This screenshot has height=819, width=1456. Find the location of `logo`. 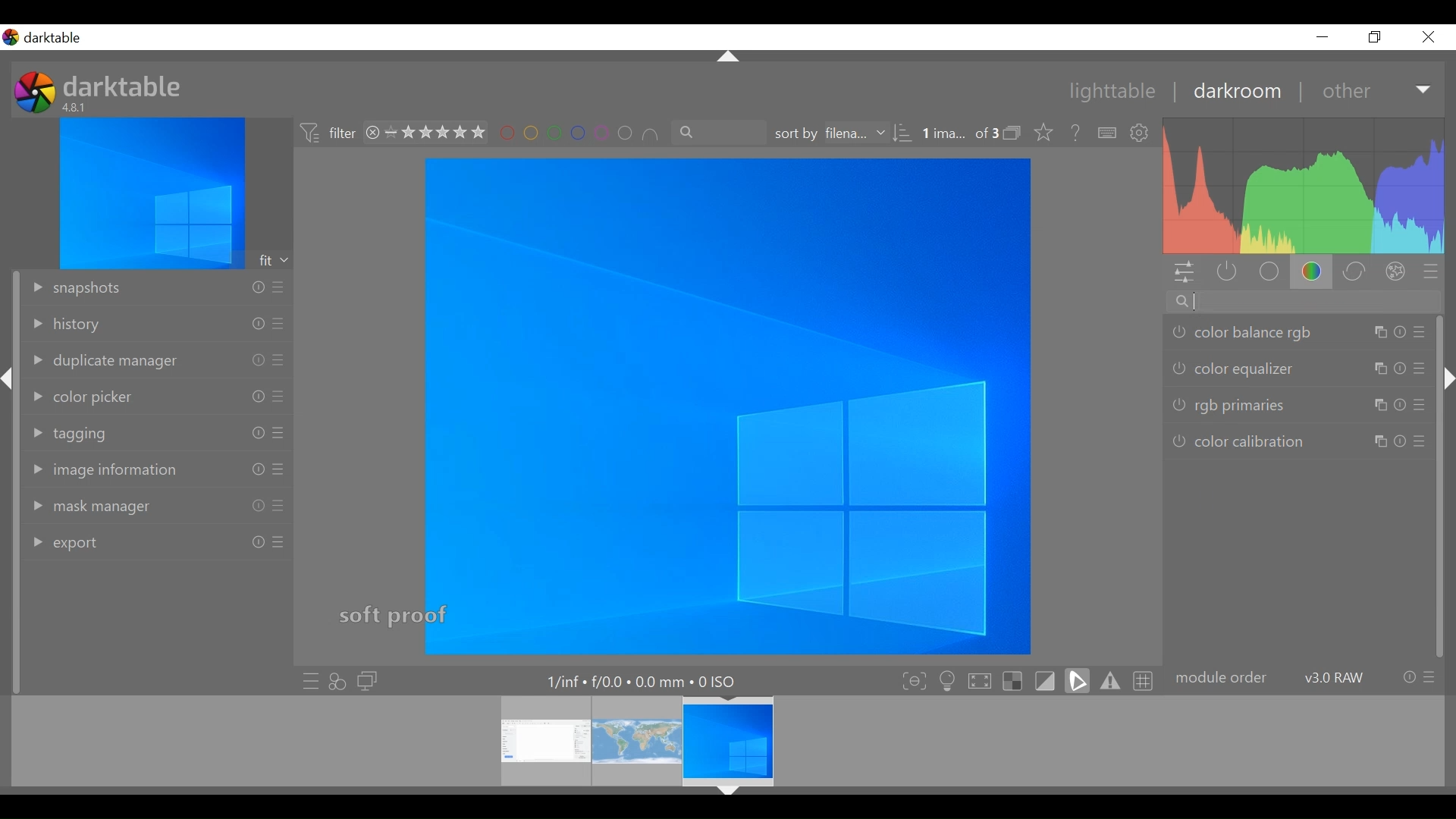

logo is located at coordinates (35, 92).